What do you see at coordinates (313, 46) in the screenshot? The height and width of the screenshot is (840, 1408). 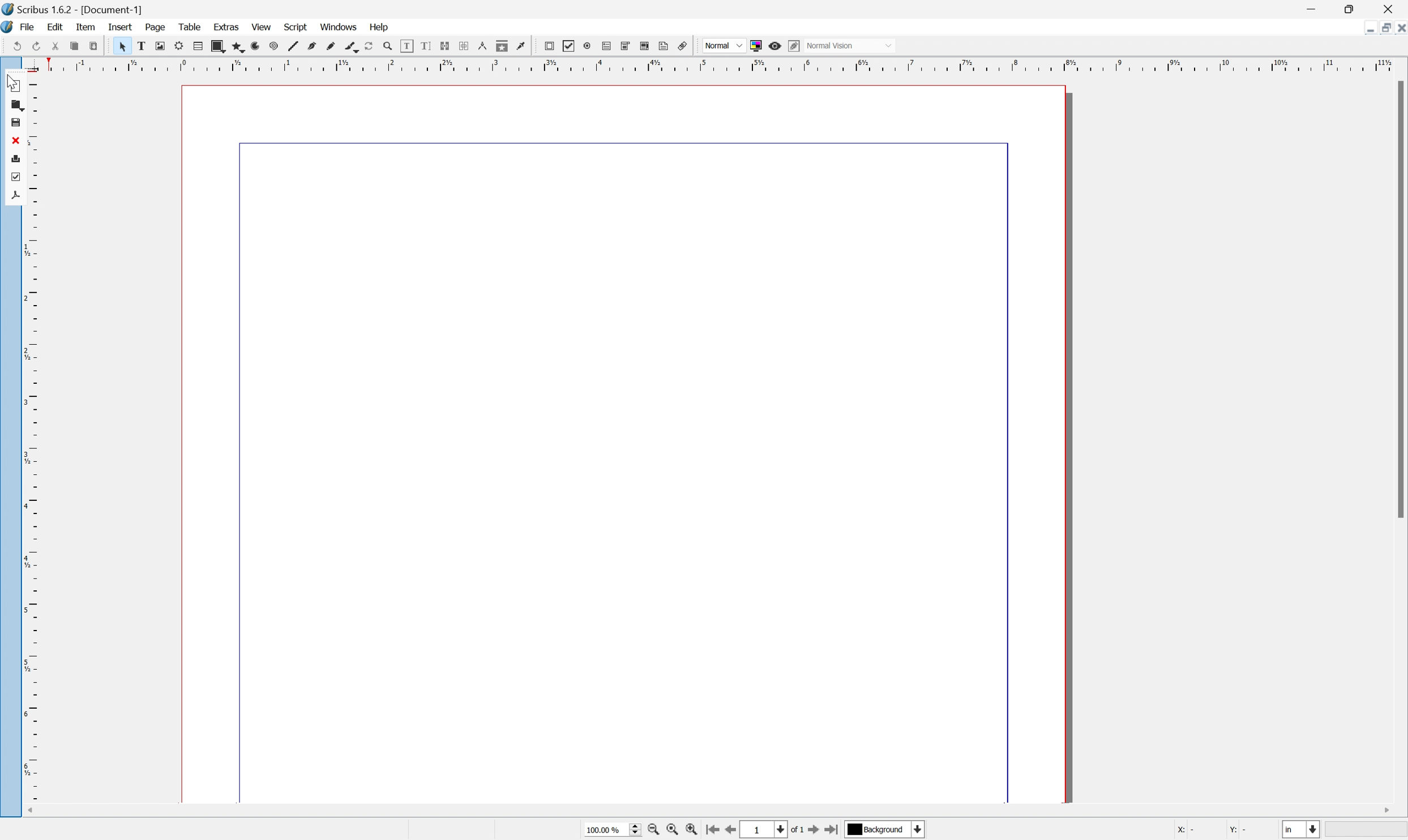 I see `render frame` at bounding box center [313, 46].